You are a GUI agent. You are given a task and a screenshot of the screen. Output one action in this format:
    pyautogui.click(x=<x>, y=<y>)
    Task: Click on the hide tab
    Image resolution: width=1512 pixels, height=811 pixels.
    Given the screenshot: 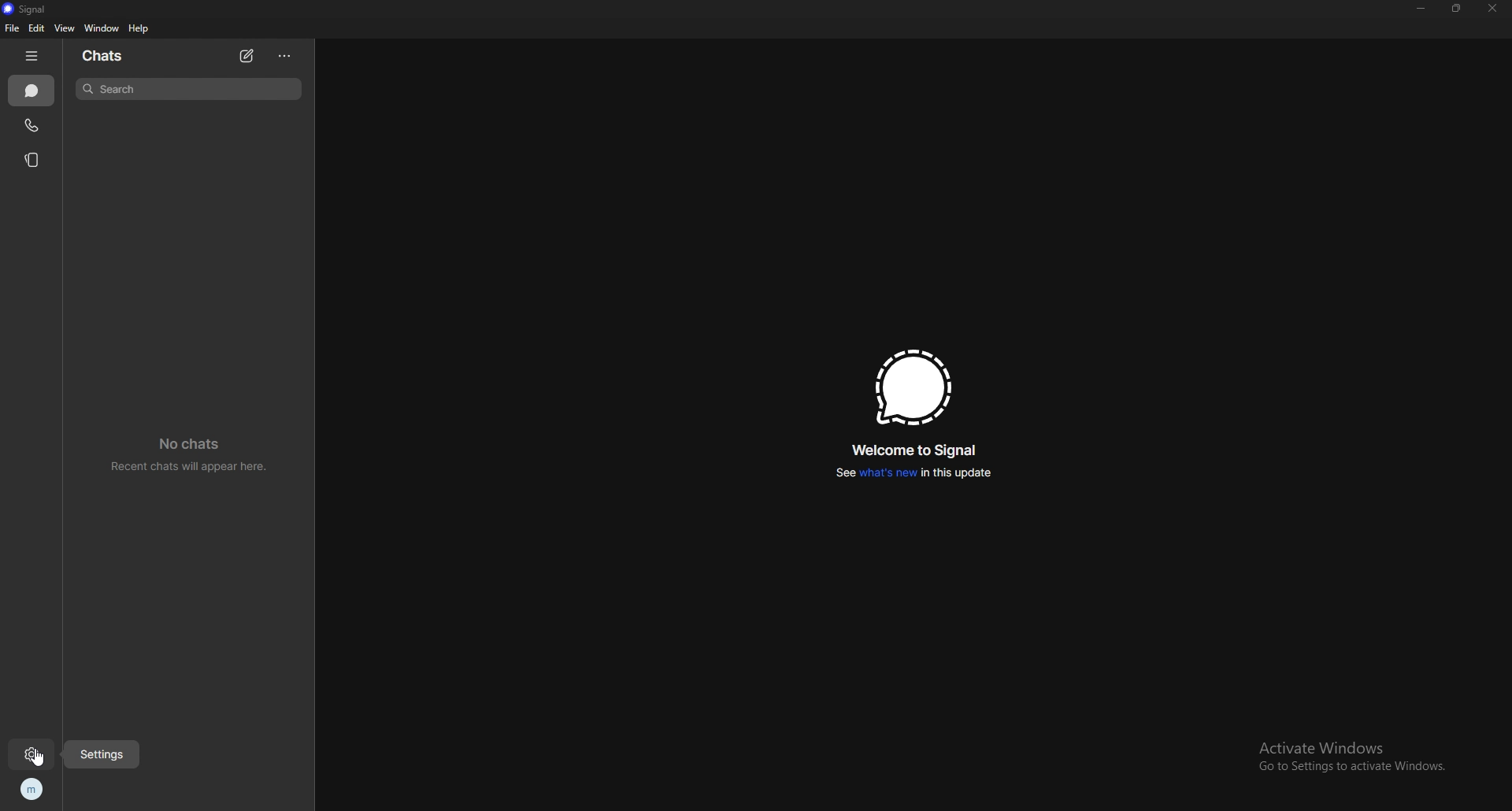 What is the action you would take?
    pyautogui.click(x=34, y=55)
    